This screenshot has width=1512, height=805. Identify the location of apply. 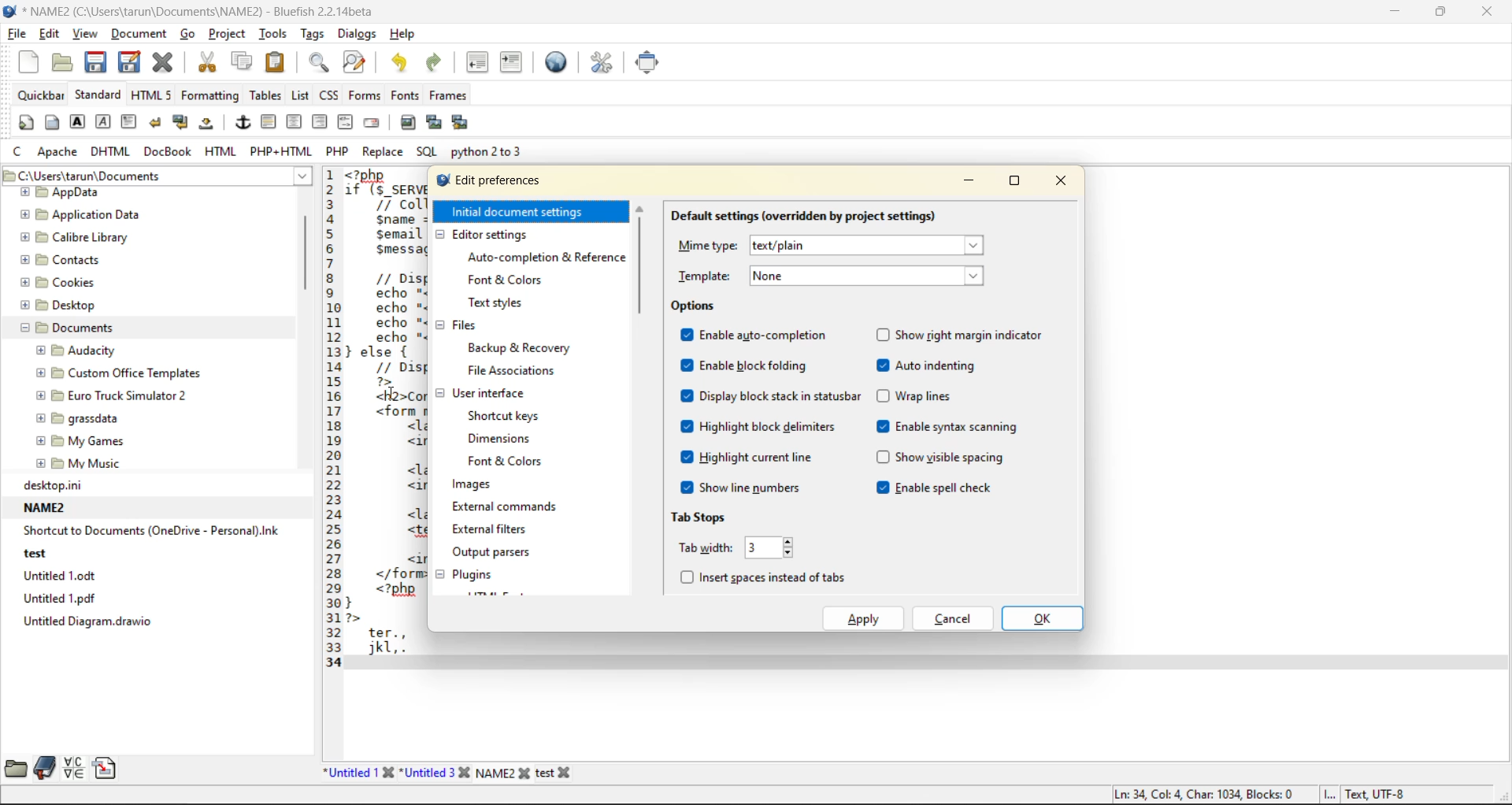
(867, 618).